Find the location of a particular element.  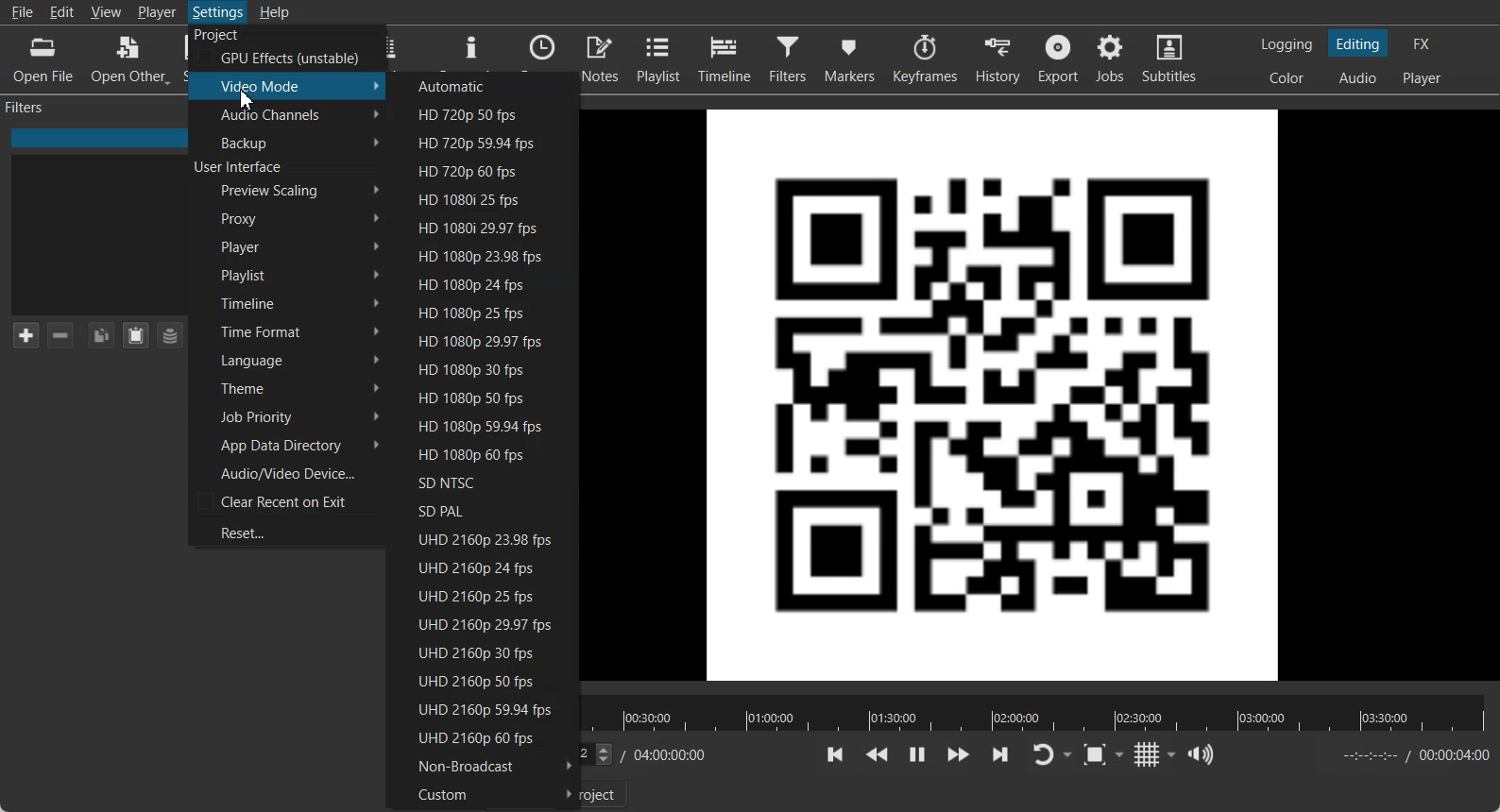

Add Filter is located at coordinates (25, 334).